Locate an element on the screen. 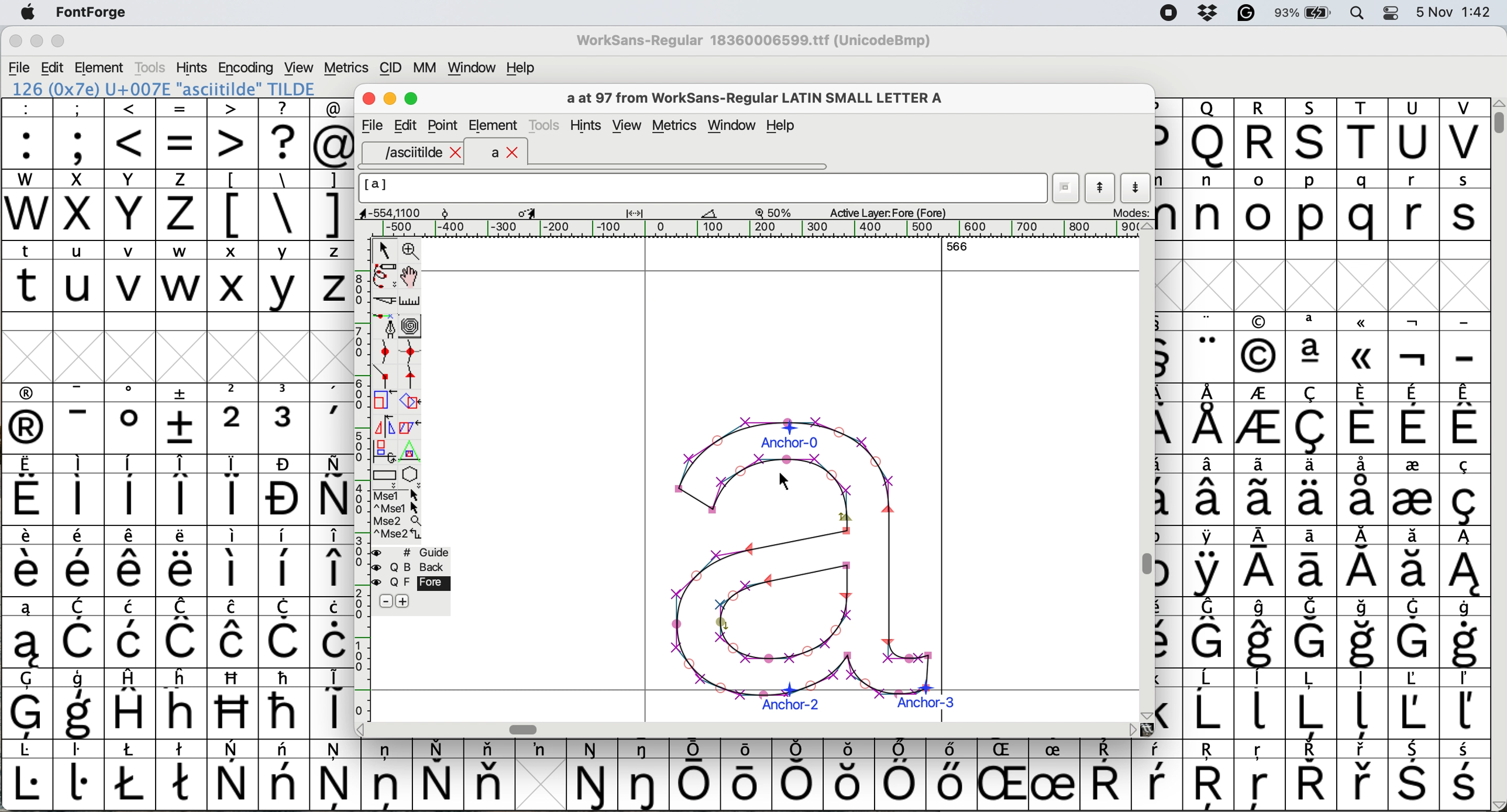 Image resolution: width=1507 pixels, height=812 pixels. change whether spiro is active or not is located at coordinates (411, 325).